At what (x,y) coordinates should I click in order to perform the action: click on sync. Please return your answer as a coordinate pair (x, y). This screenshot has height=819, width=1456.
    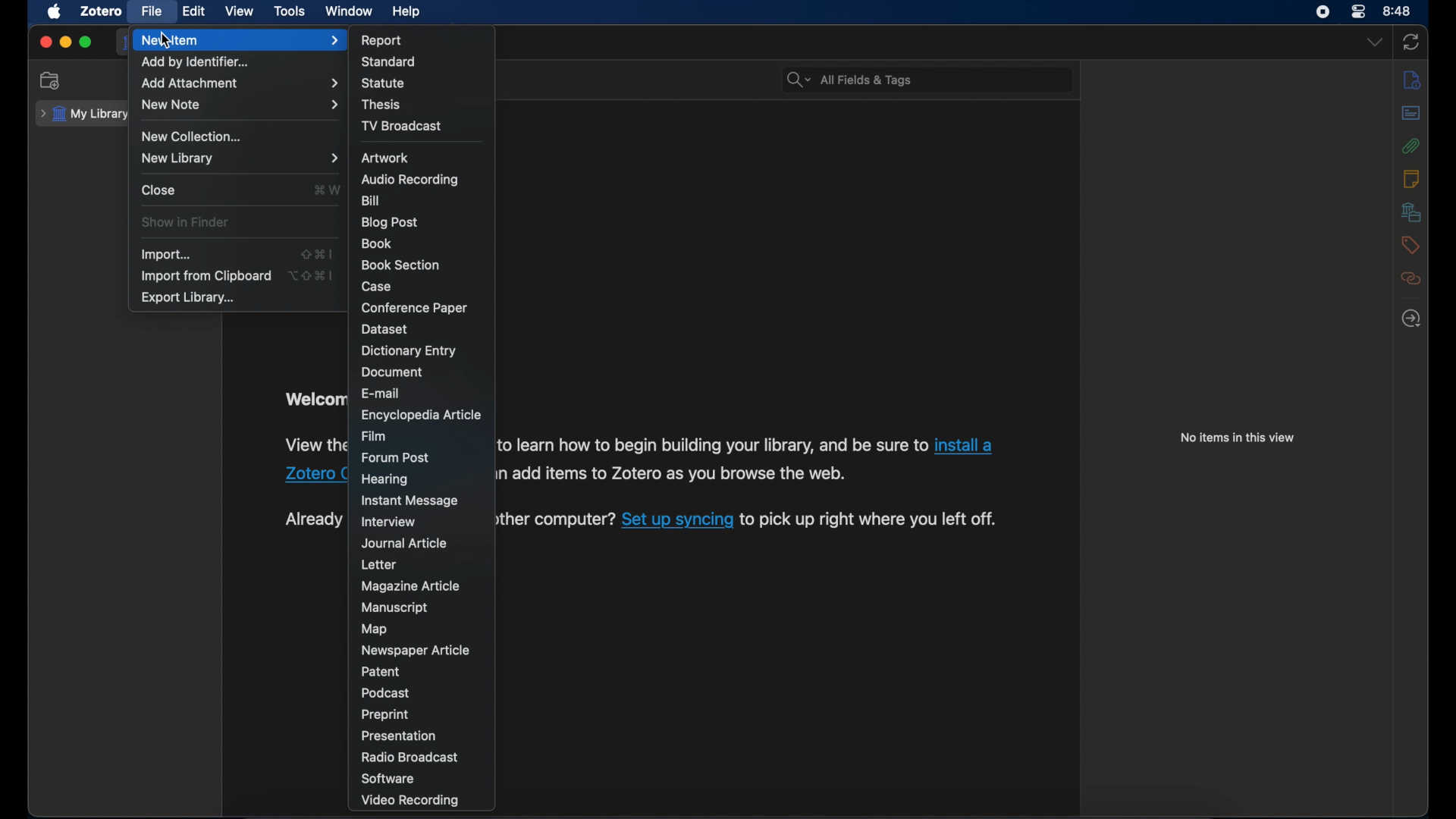
    Looking at the image, I should click on (1412, 42).